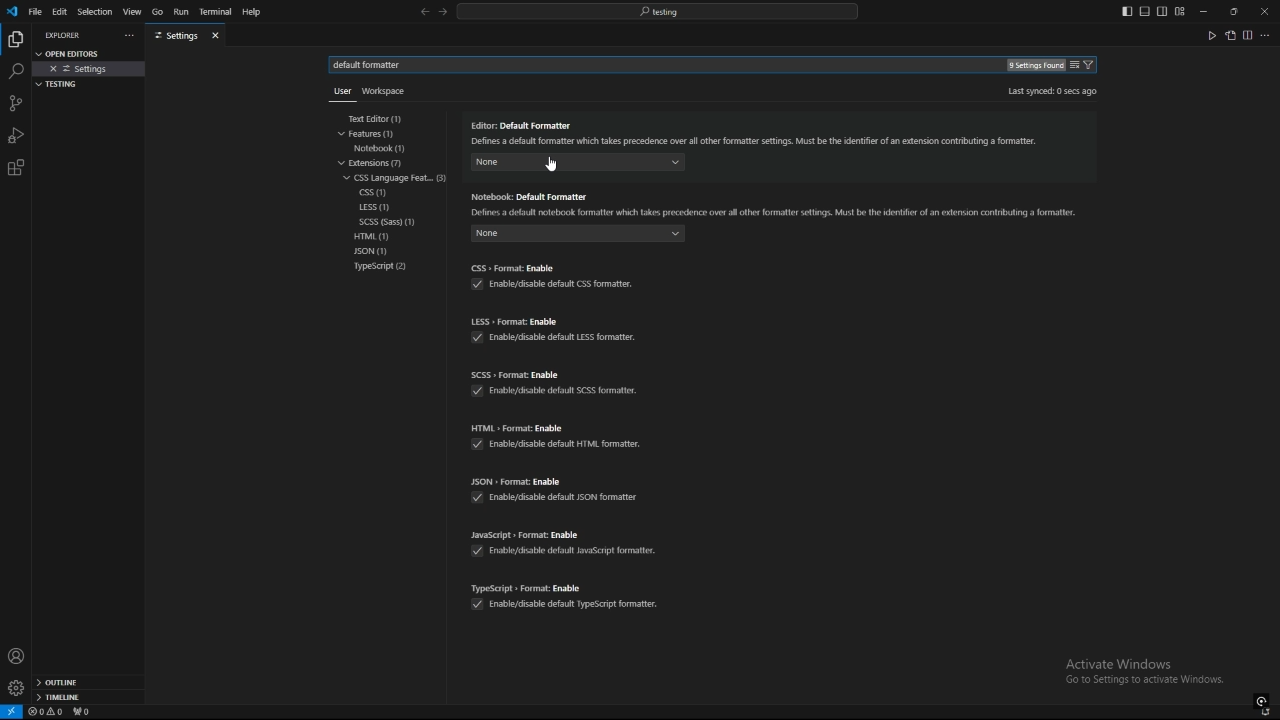  What do you see at coordinates (723, 168) in the screenshot?
I see `none` at bounding box center [723, 168].